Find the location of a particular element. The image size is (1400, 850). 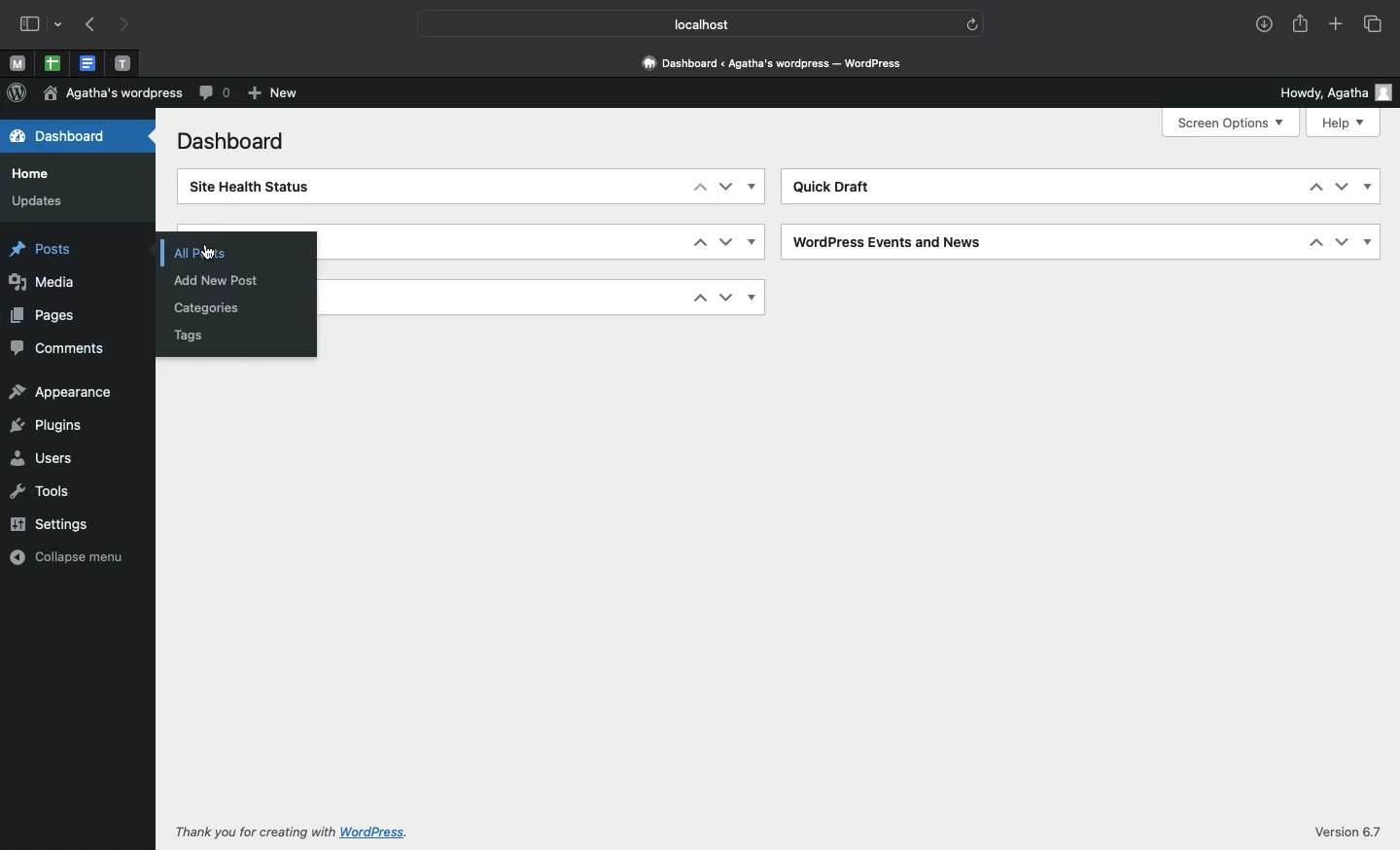

Howdy user is located at coordinates (1333, 92).